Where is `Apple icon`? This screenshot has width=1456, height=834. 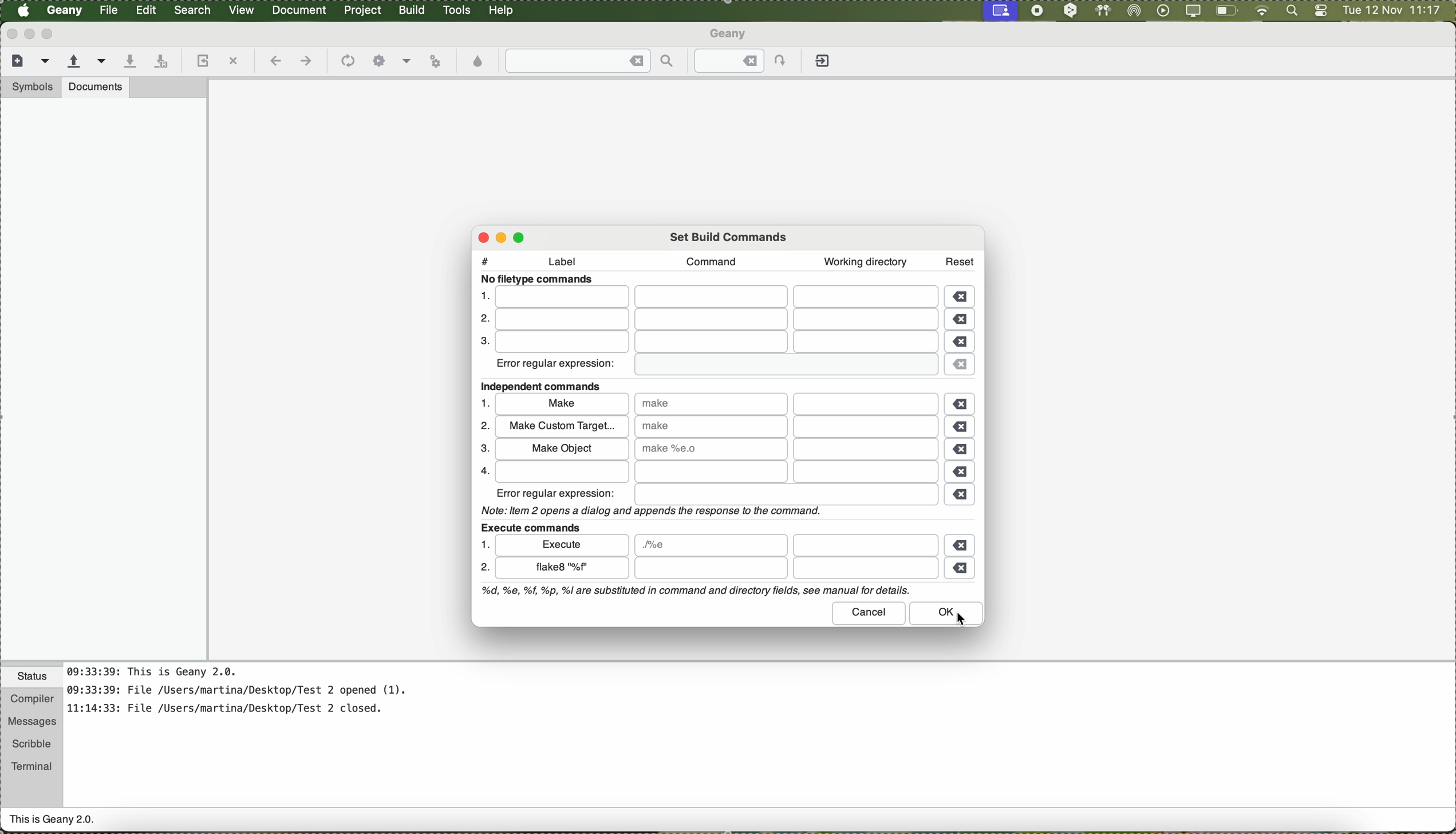
Apple icon is located at coordinates (23, 10).